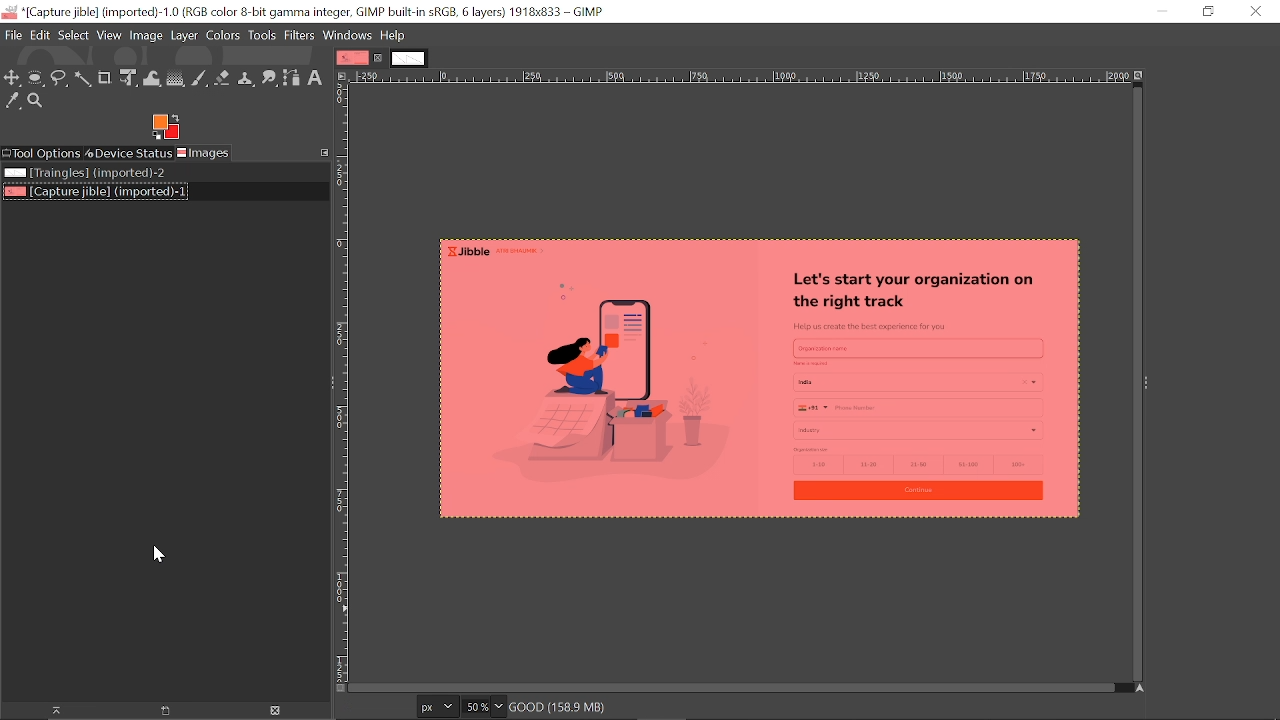 The height and width of the screenshot is (720, 1280). Describe the element at coordinates (39, 102) in the screenshot. I see `Zoom tool` at that location.